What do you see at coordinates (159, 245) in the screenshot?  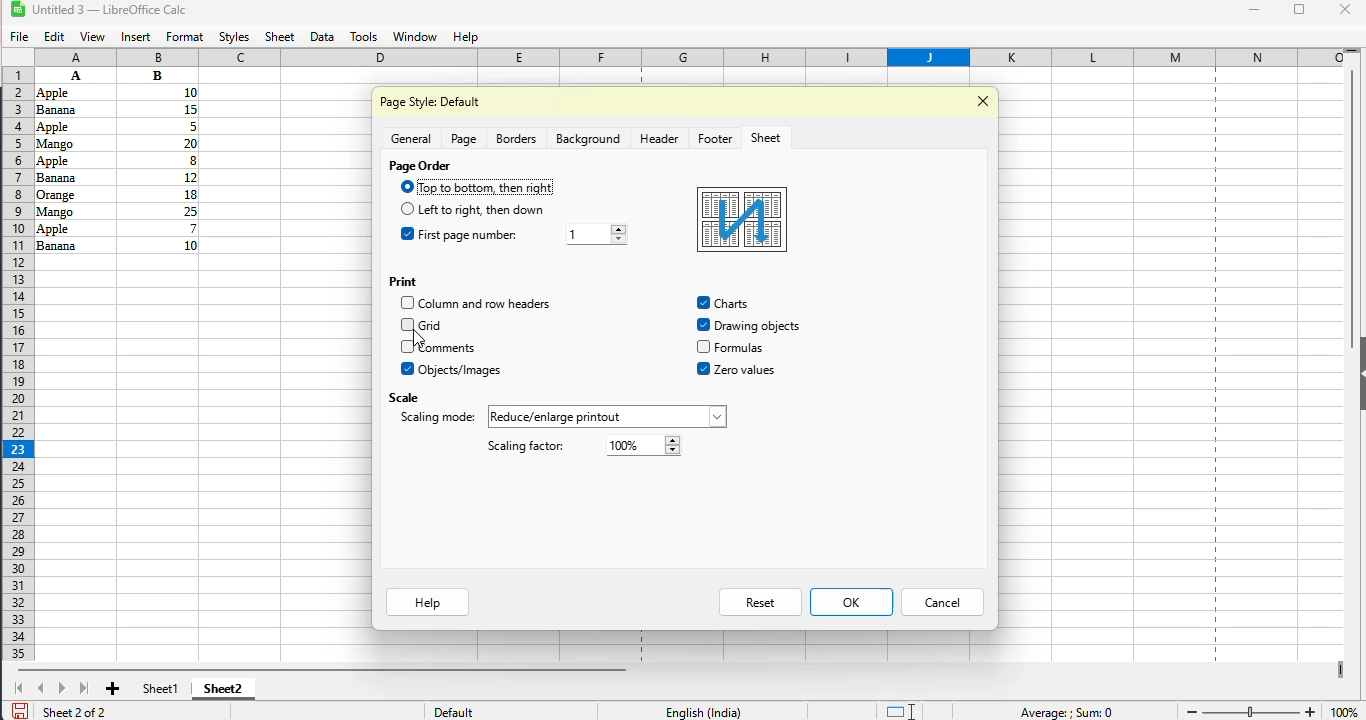 I see `` at bounding box center [159, 245].